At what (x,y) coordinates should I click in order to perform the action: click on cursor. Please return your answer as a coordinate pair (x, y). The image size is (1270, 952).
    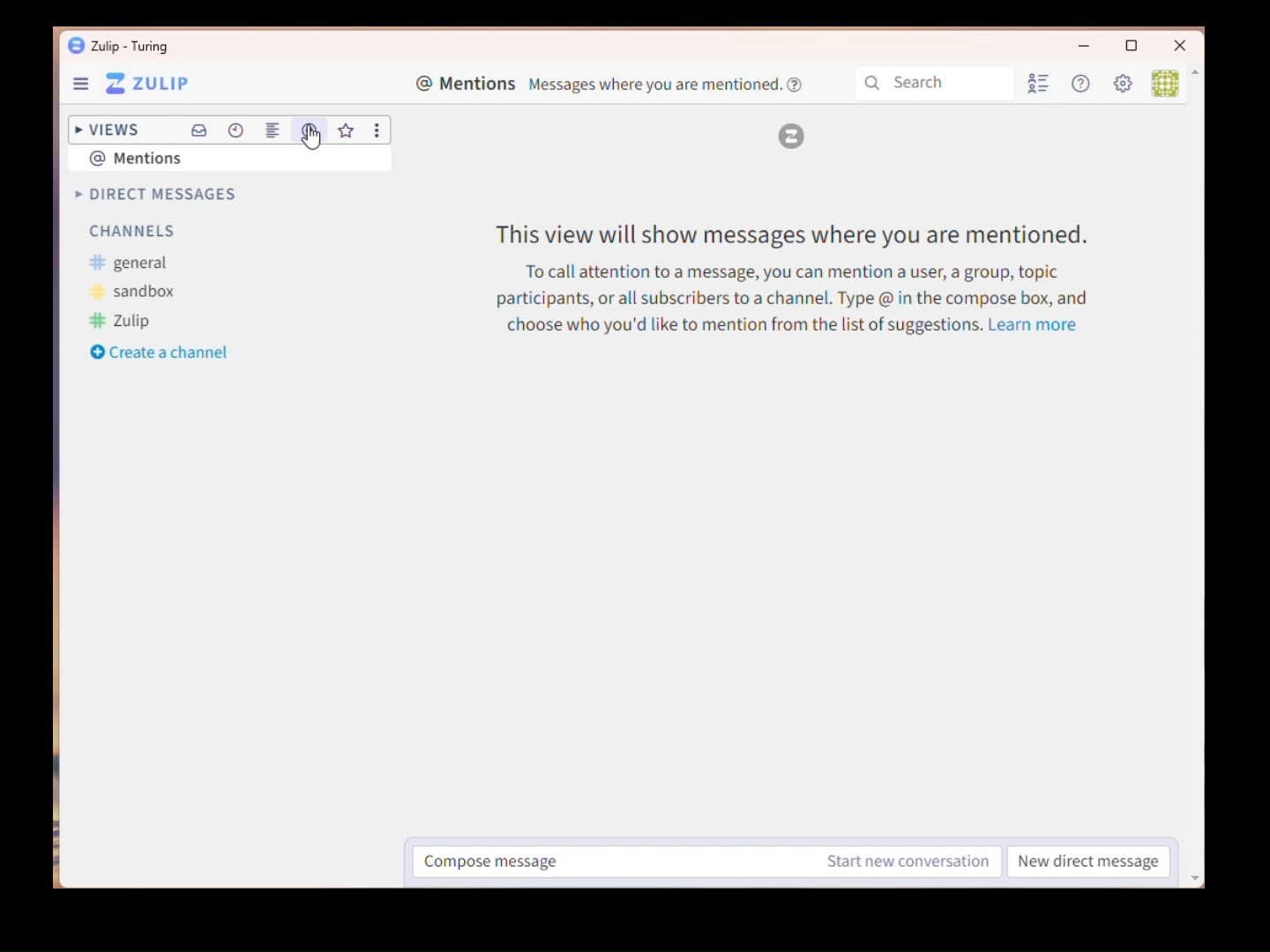
    Looking at the image, I should click on (310, 138).